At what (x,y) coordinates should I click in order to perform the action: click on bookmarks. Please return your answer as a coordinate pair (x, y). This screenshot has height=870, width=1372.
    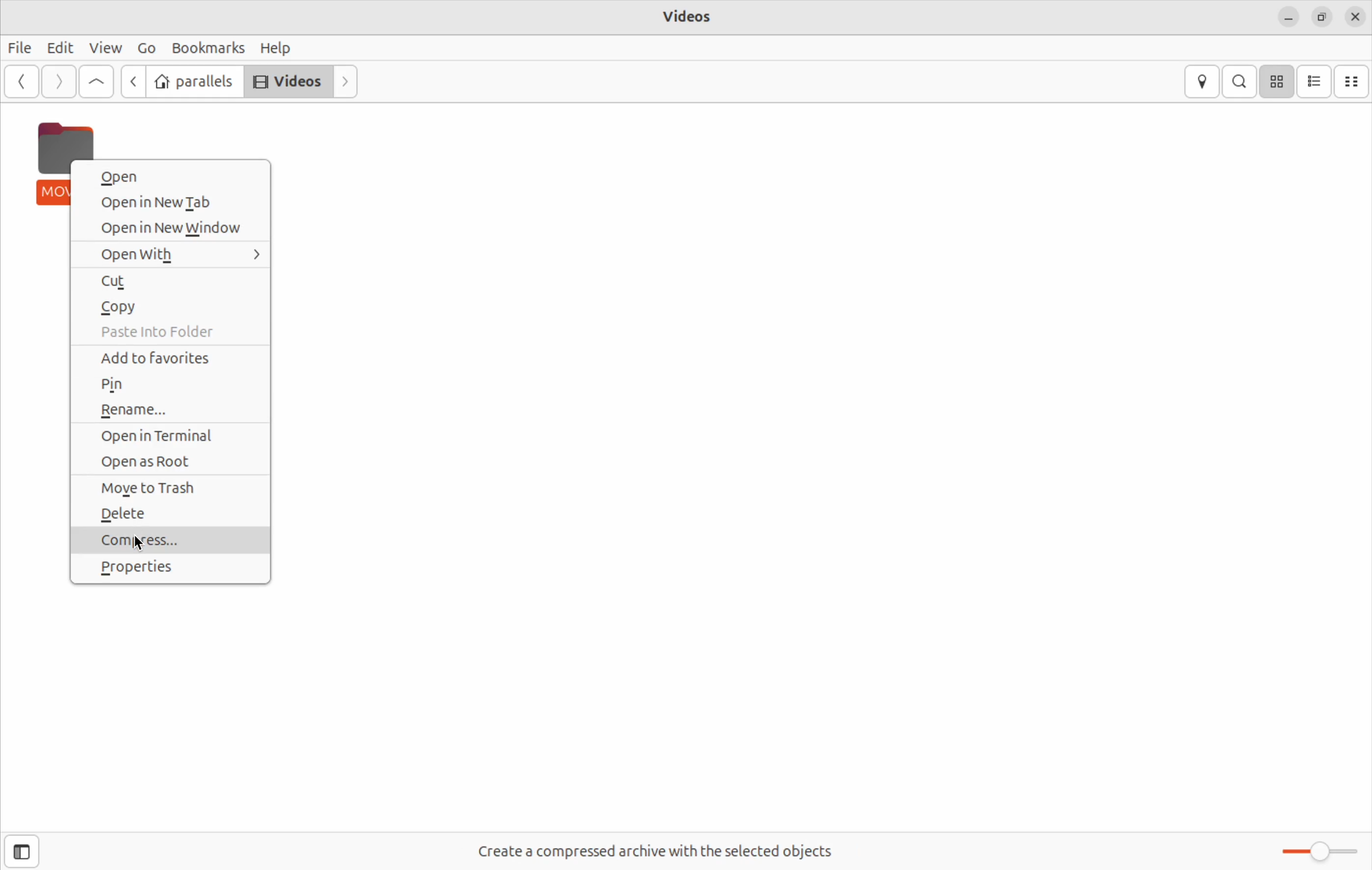
    Looking at the image, I should click on (209, 47).